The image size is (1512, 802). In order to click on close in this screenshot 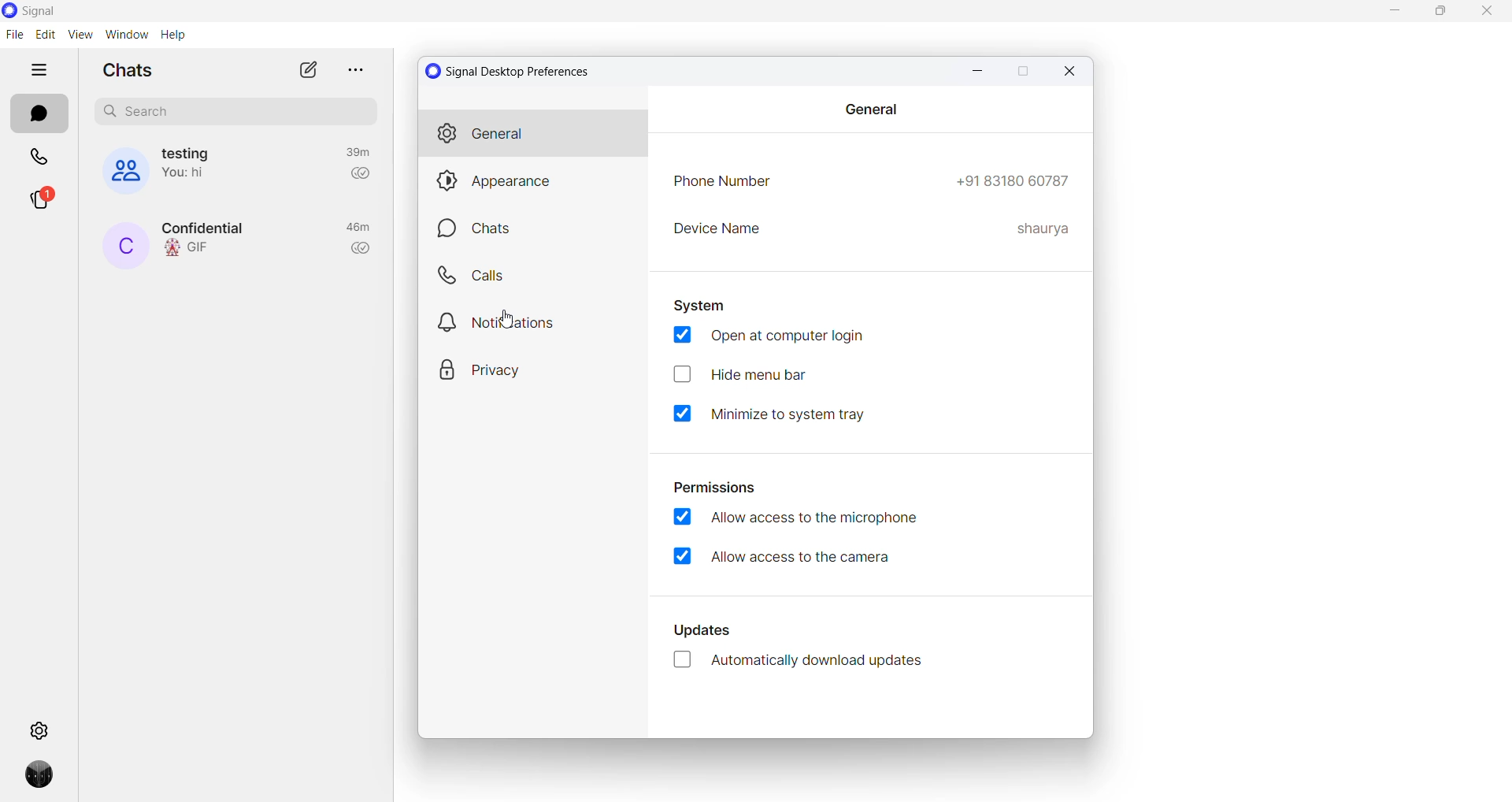, I will do `click(1486, 16)`.